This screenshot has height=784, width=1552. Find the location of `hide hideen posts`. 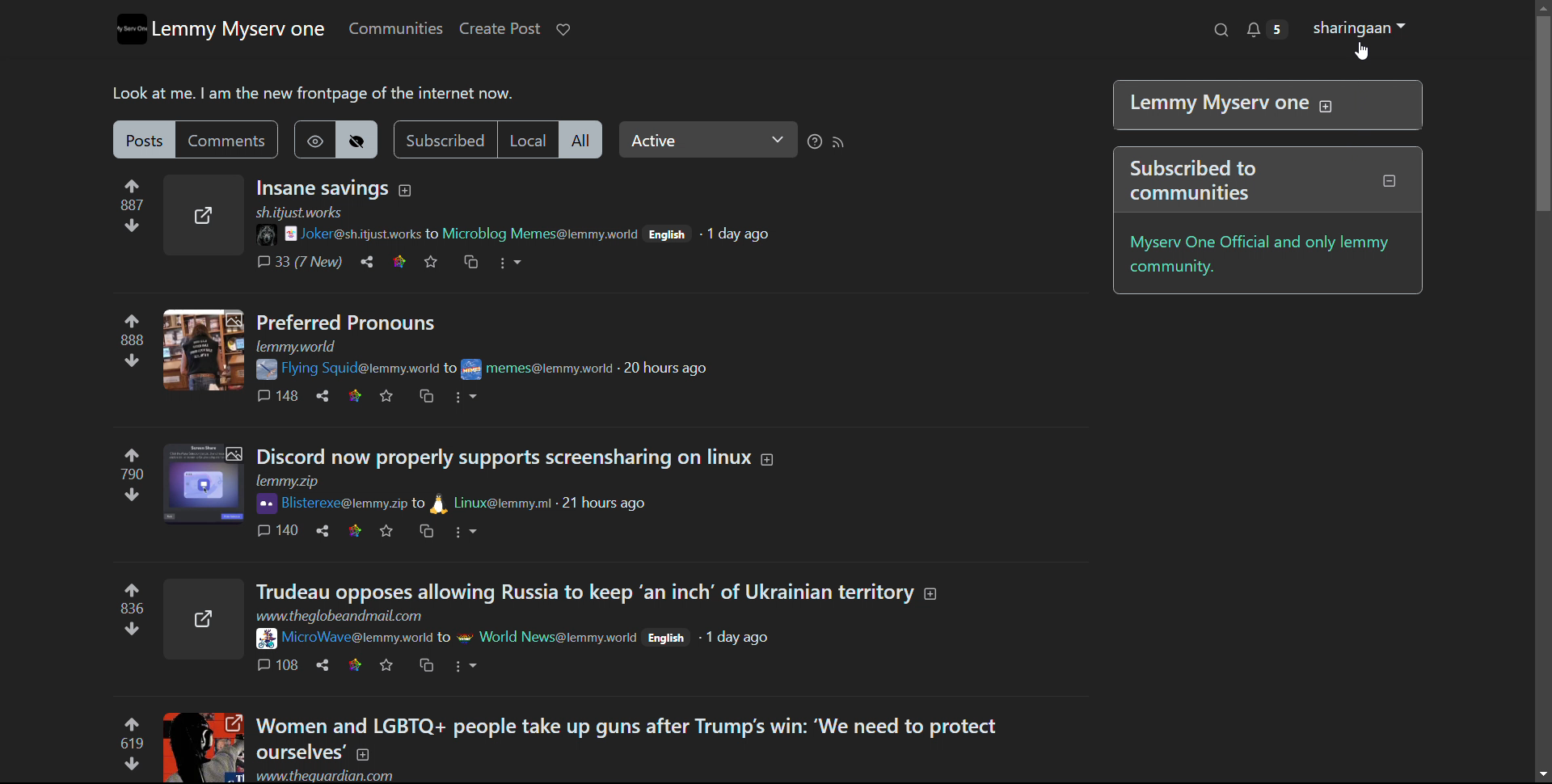

hide hideen posts is located at coordinates (357, 139).